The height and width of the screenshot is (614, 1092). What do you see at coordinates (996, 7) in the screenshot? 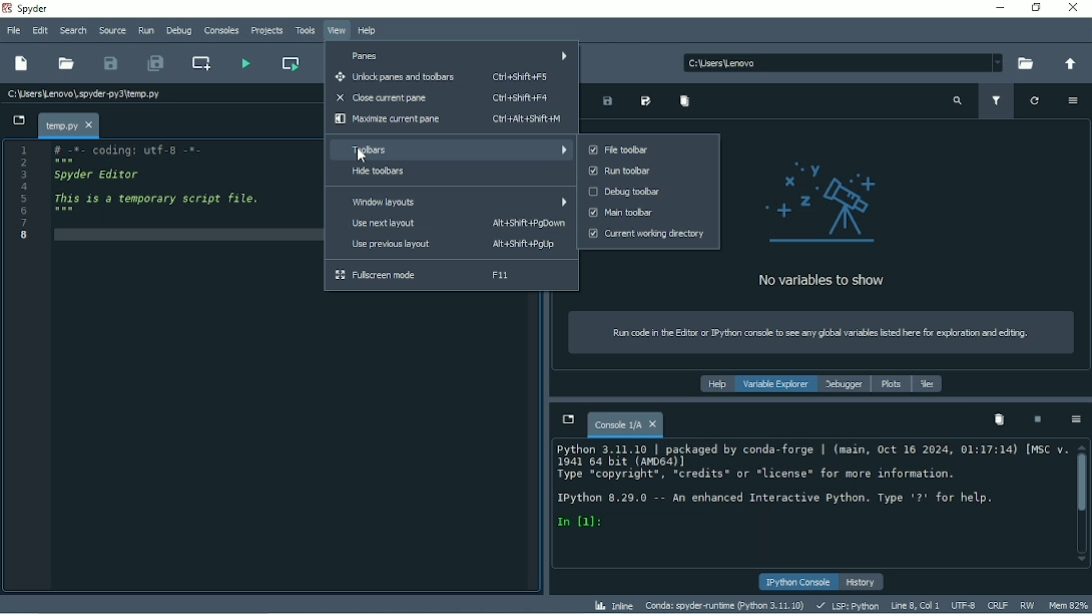
I see `Minimize` at bounding box center [996, 7].